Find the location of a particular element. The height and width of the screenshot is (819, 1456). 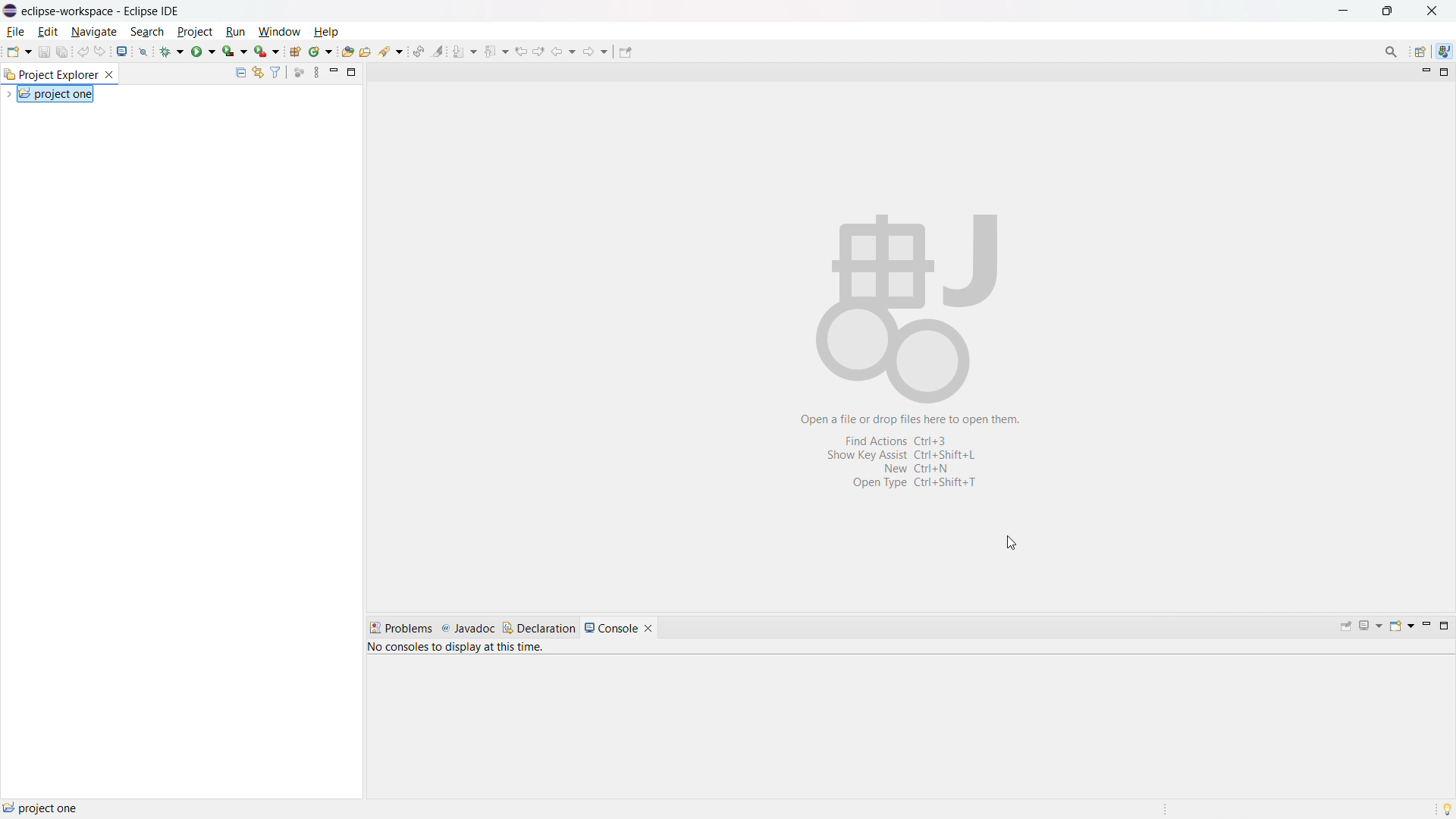

undo is located at coordinates (83, 51).